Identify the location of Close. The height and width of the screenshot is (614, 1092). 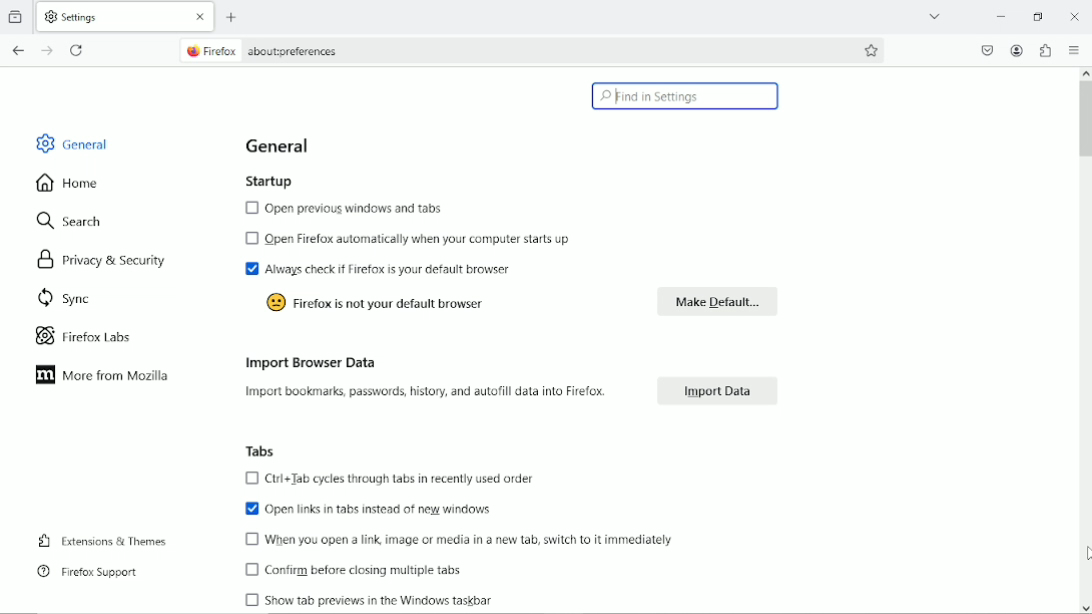
(1075, 16).